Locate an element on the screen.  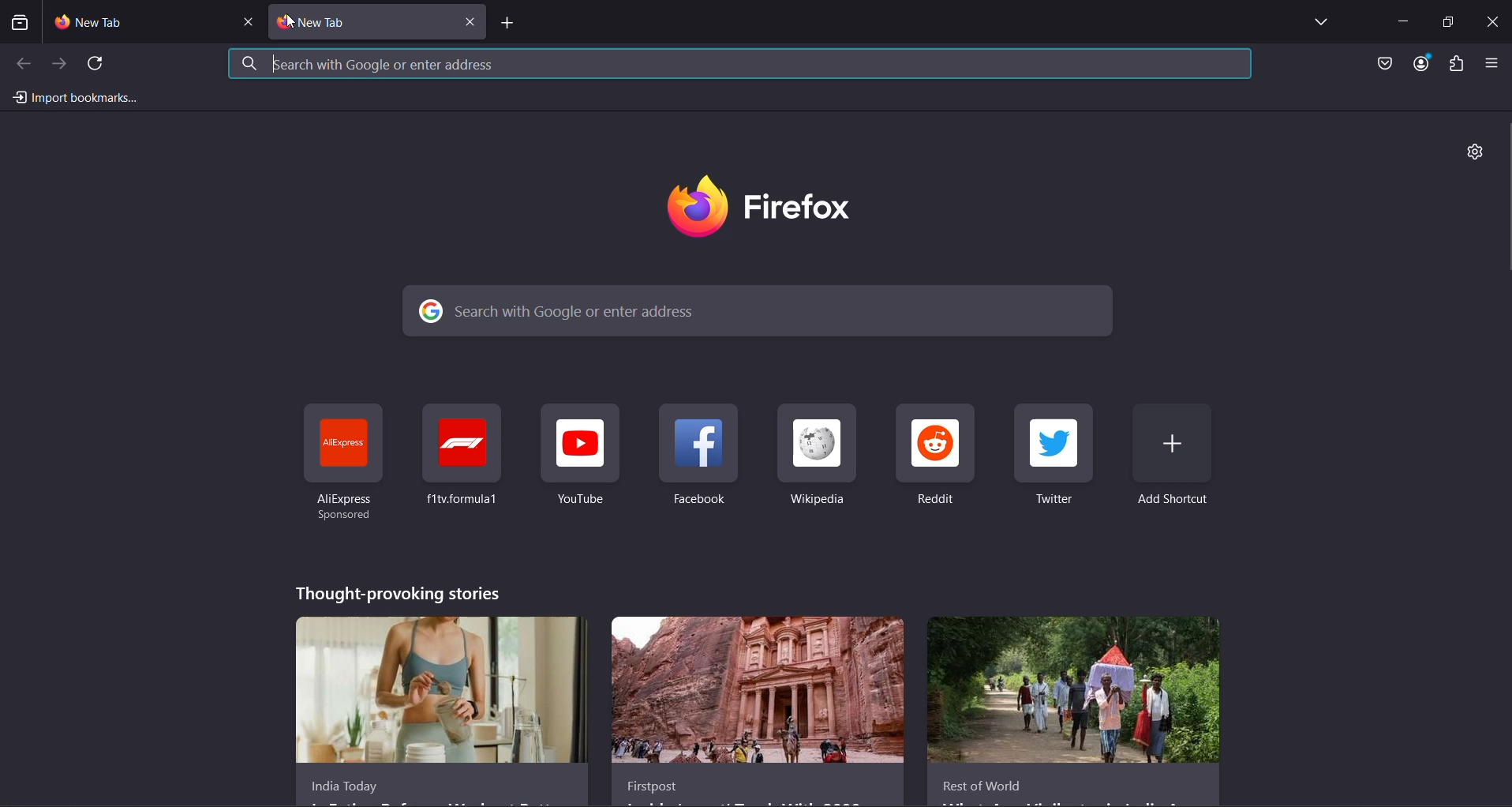
import bookmarks is located at coordinates (81, 97).